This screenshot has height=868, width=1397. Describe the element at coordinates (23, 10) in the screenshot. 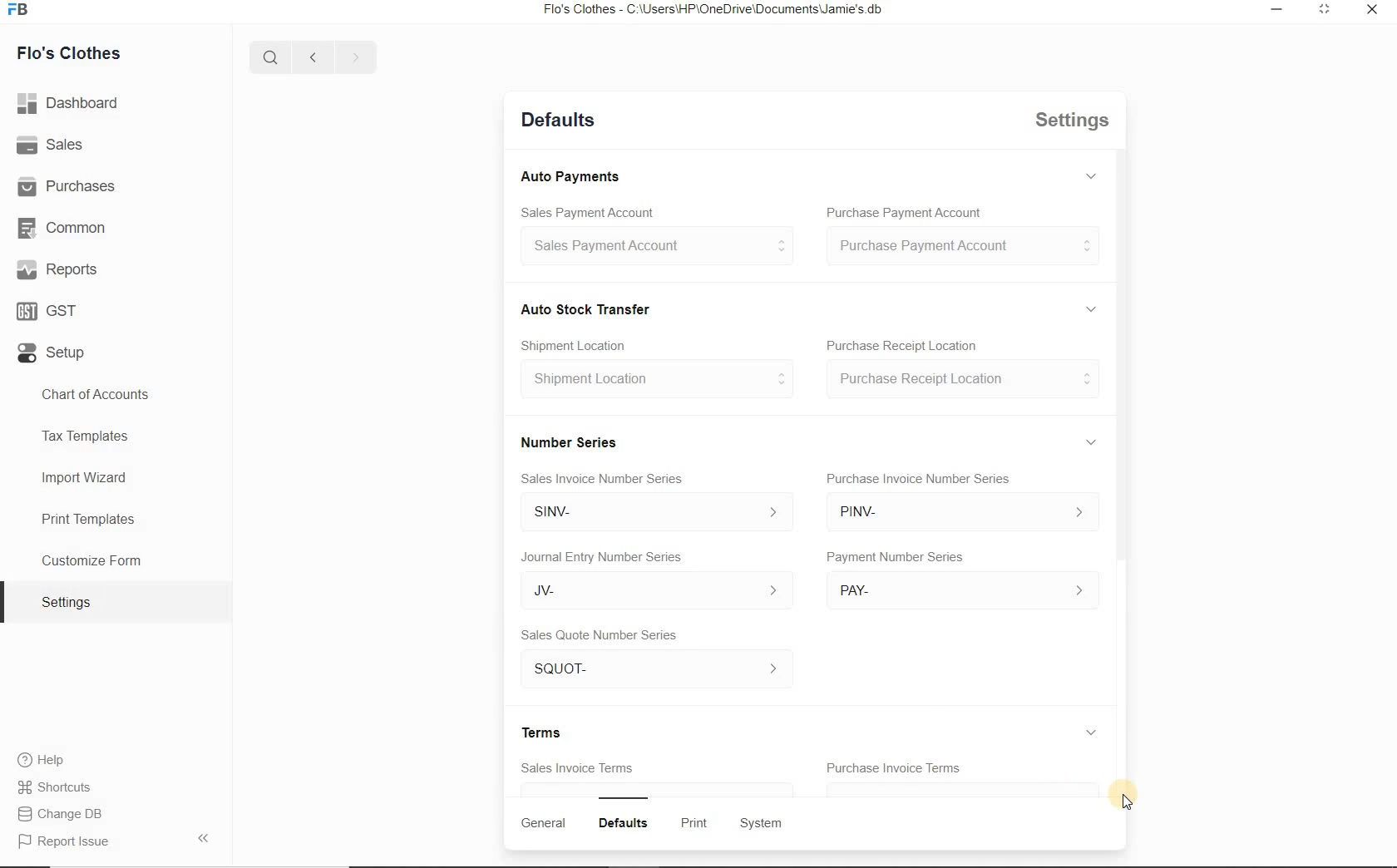

I see `FB logo` at that location.